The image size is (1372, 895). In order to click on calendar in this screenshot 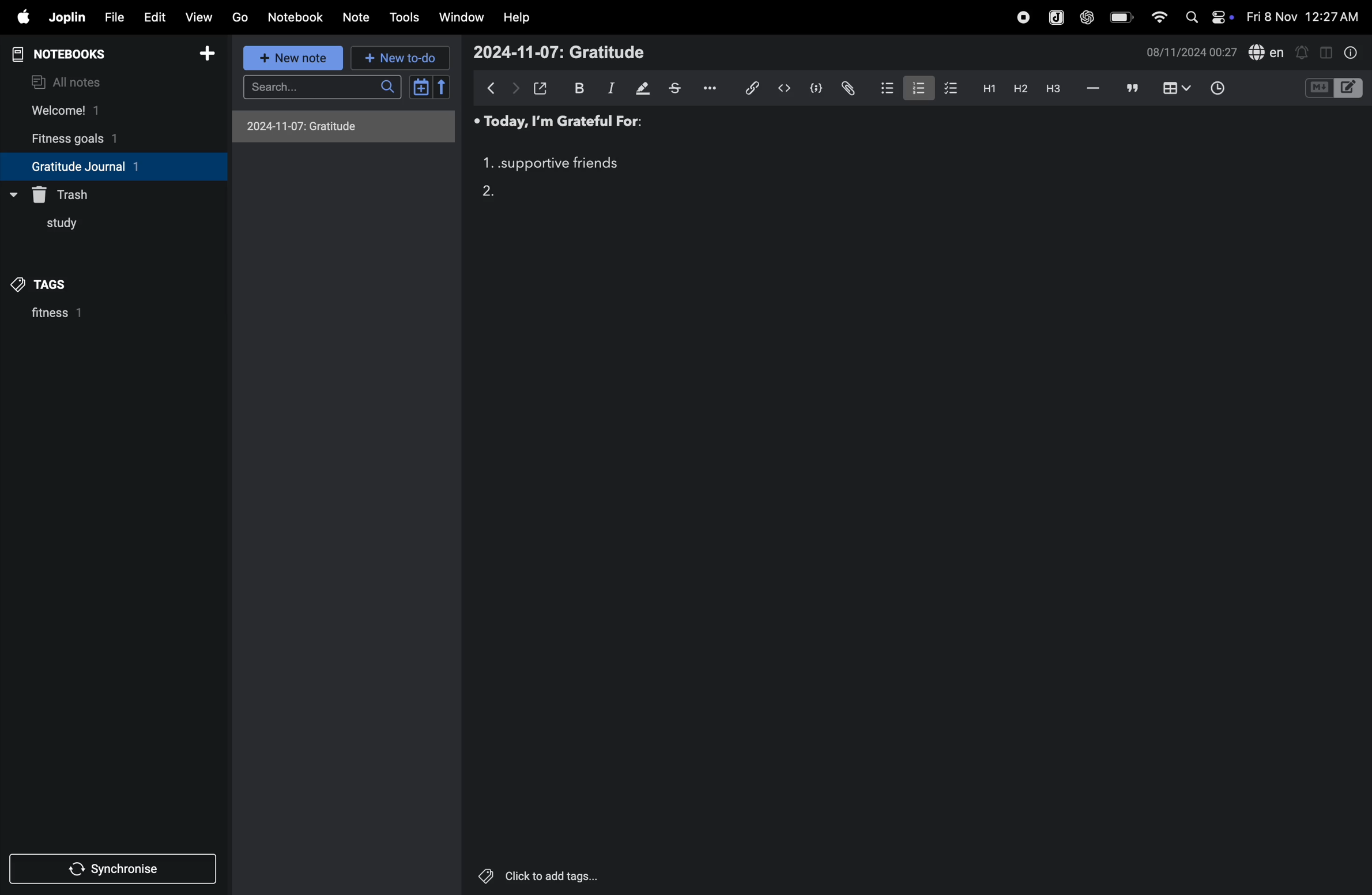, I will do `click(429, 87)`.